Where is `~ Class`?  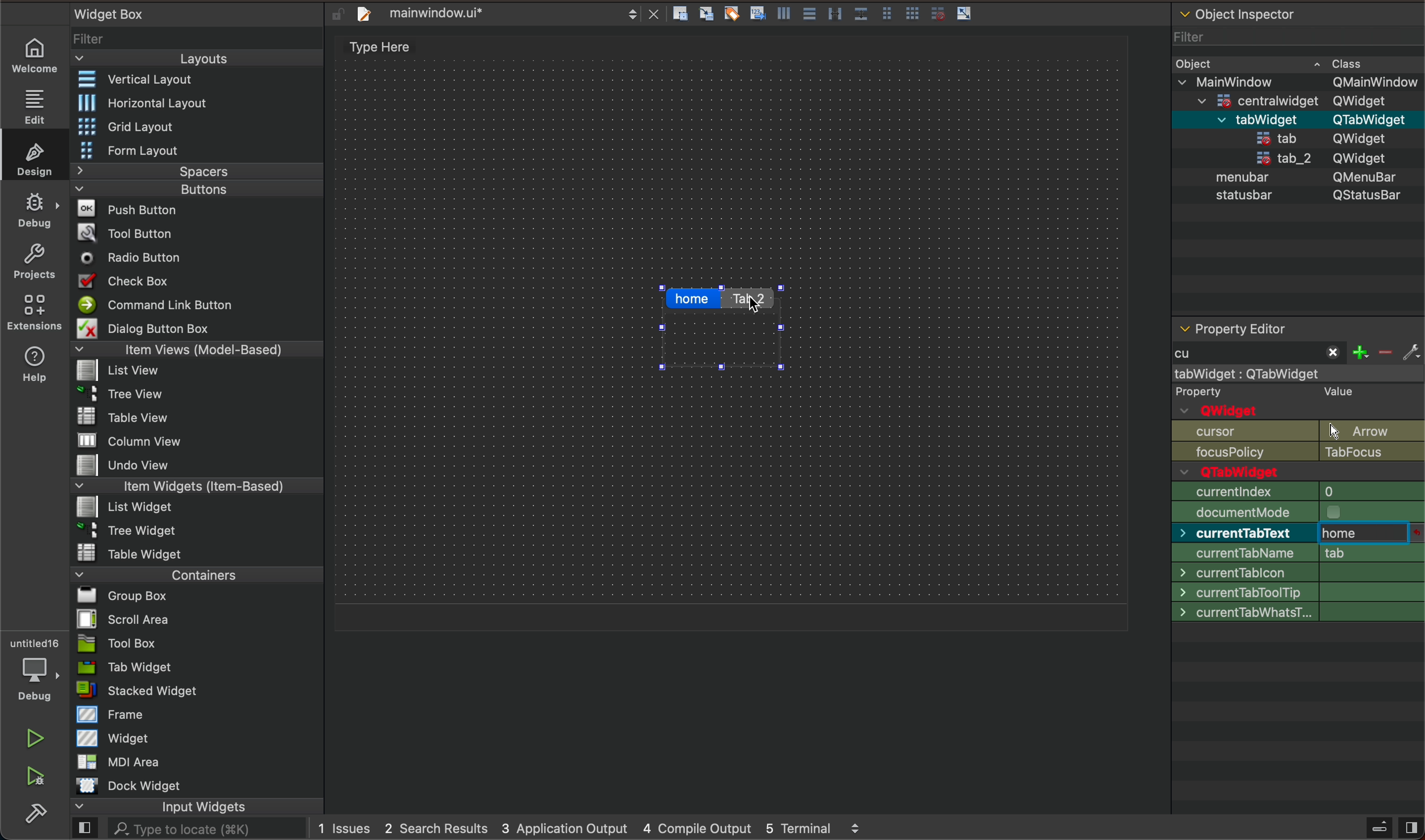 ~ Class is located at coordinates (1342, 60).